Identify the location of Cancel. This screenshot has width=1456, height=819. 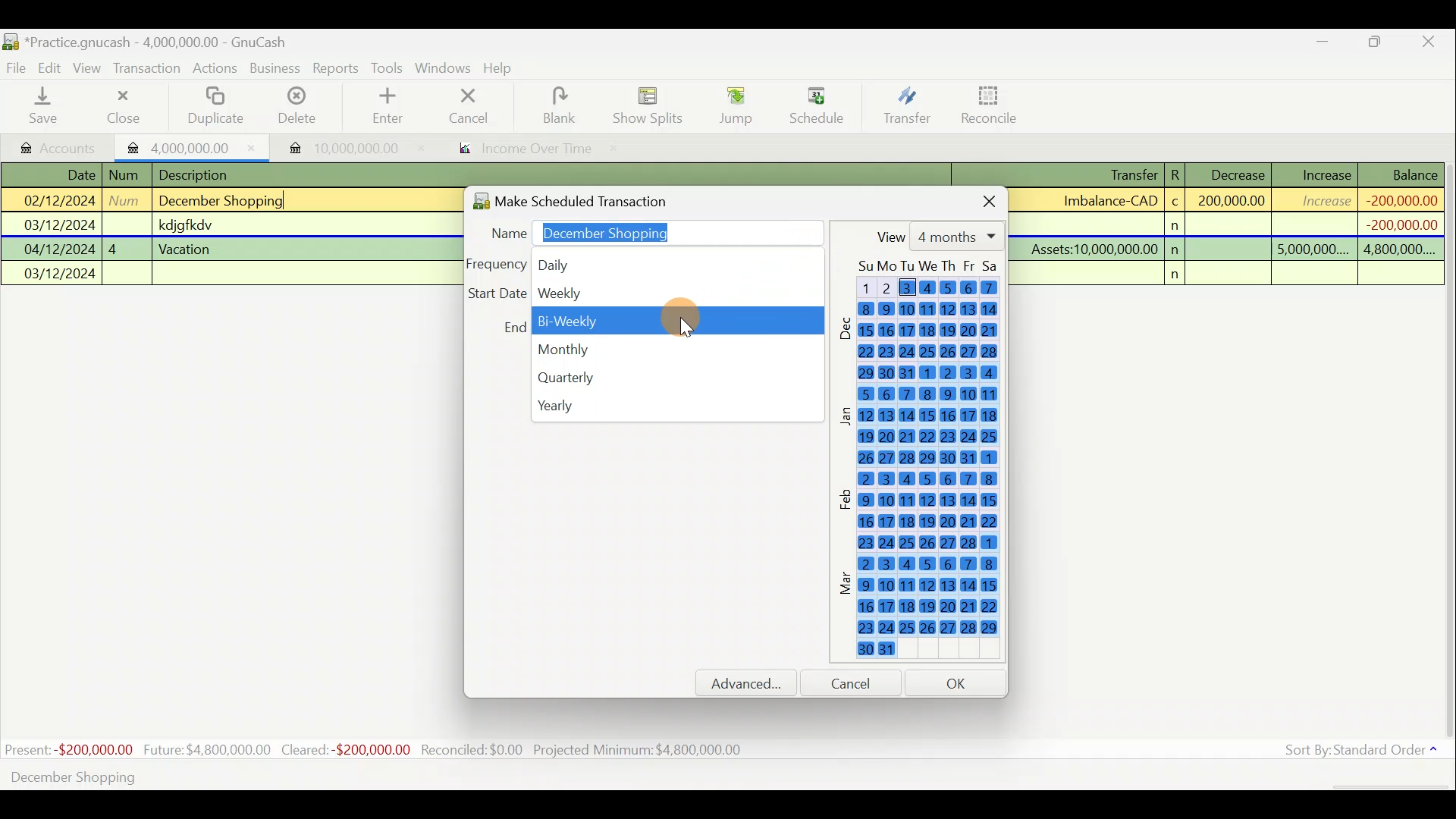
(469, 105).